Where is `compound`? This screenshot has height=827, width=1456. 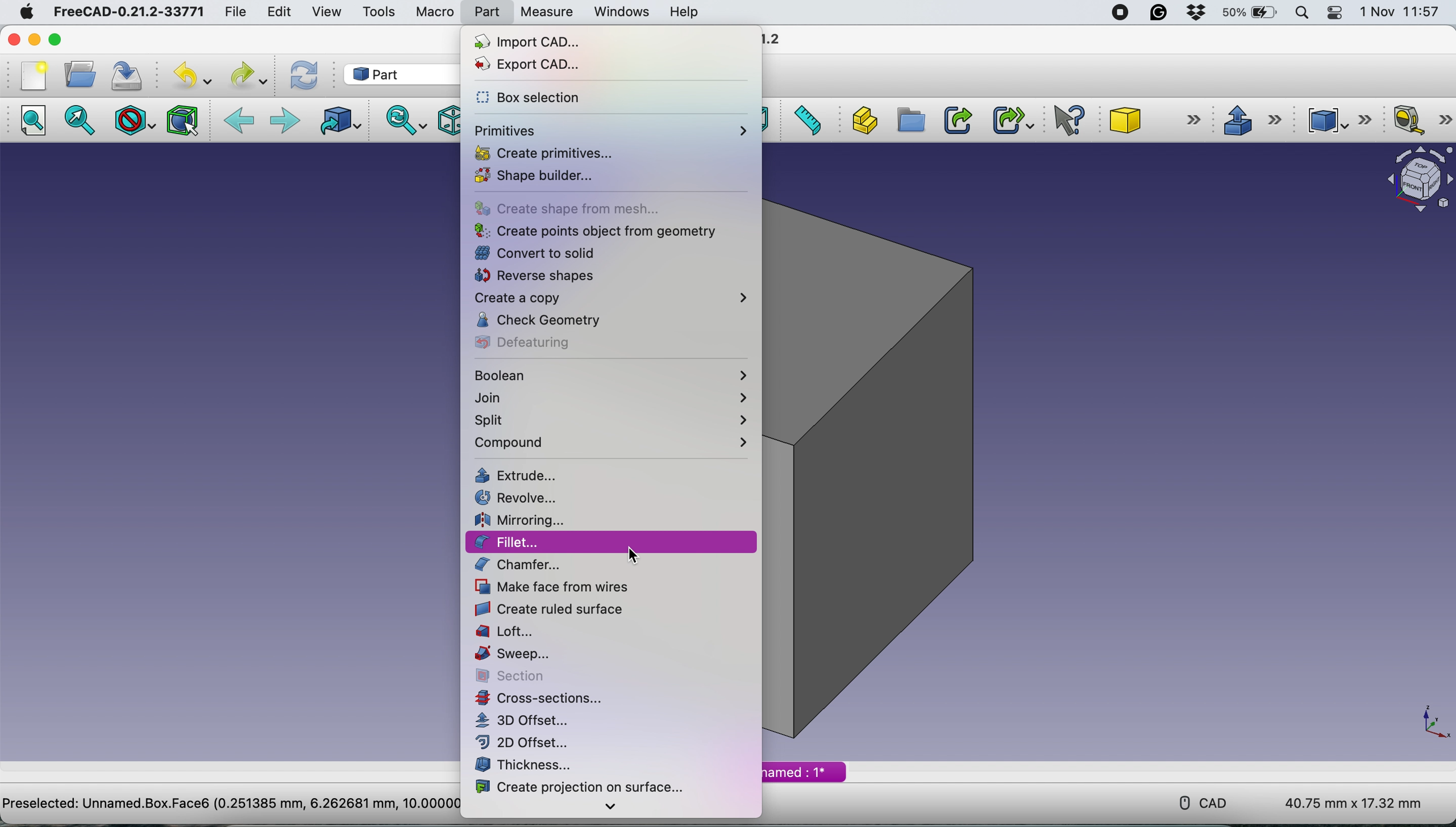
compound is located at coordinates (614, 442).